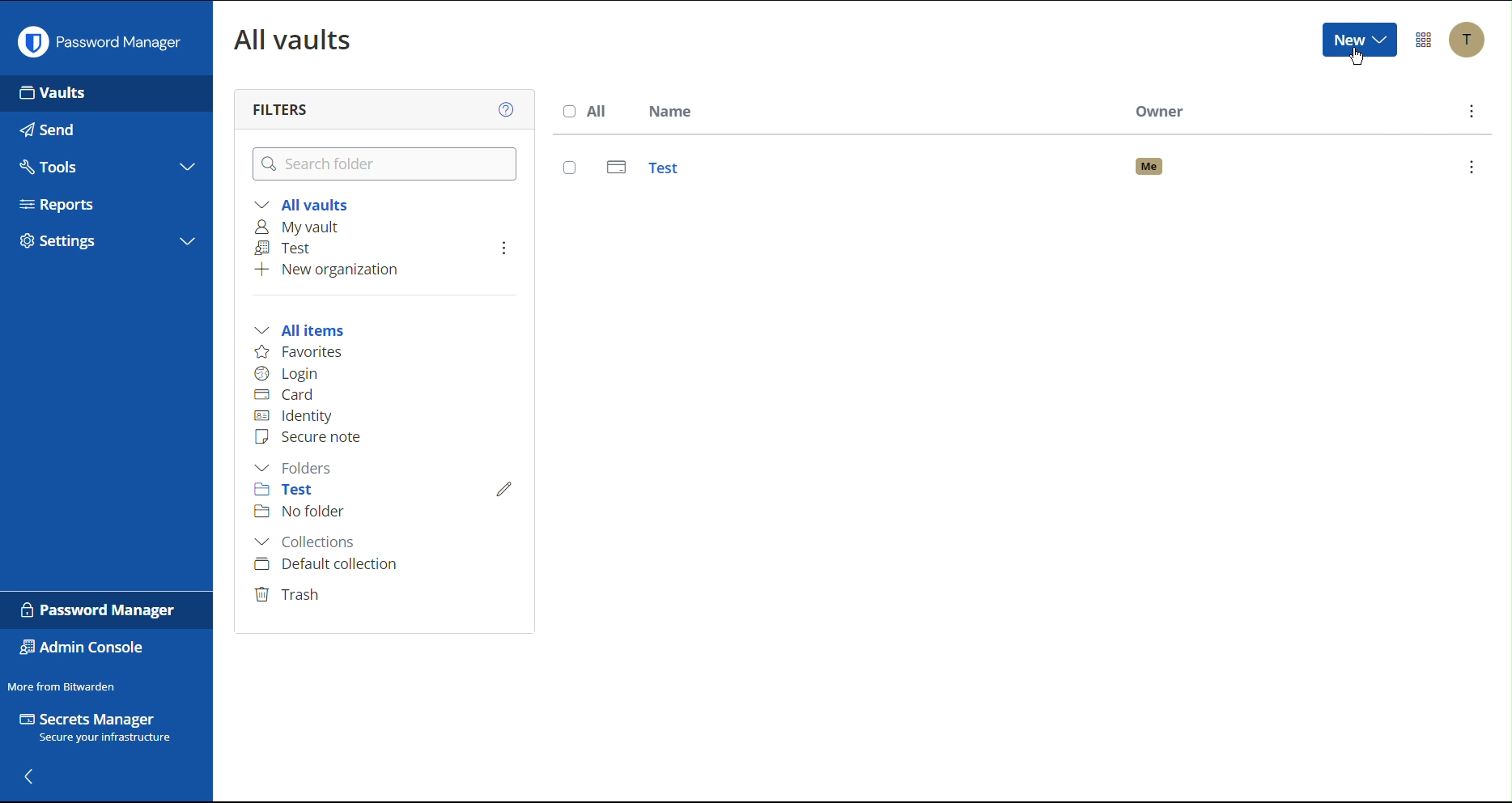 Image resolution: width=1512 pixels, height=803 pixels. Describe the element at coordinates (31, 775) in the screenshot. I see `Back` at that location.